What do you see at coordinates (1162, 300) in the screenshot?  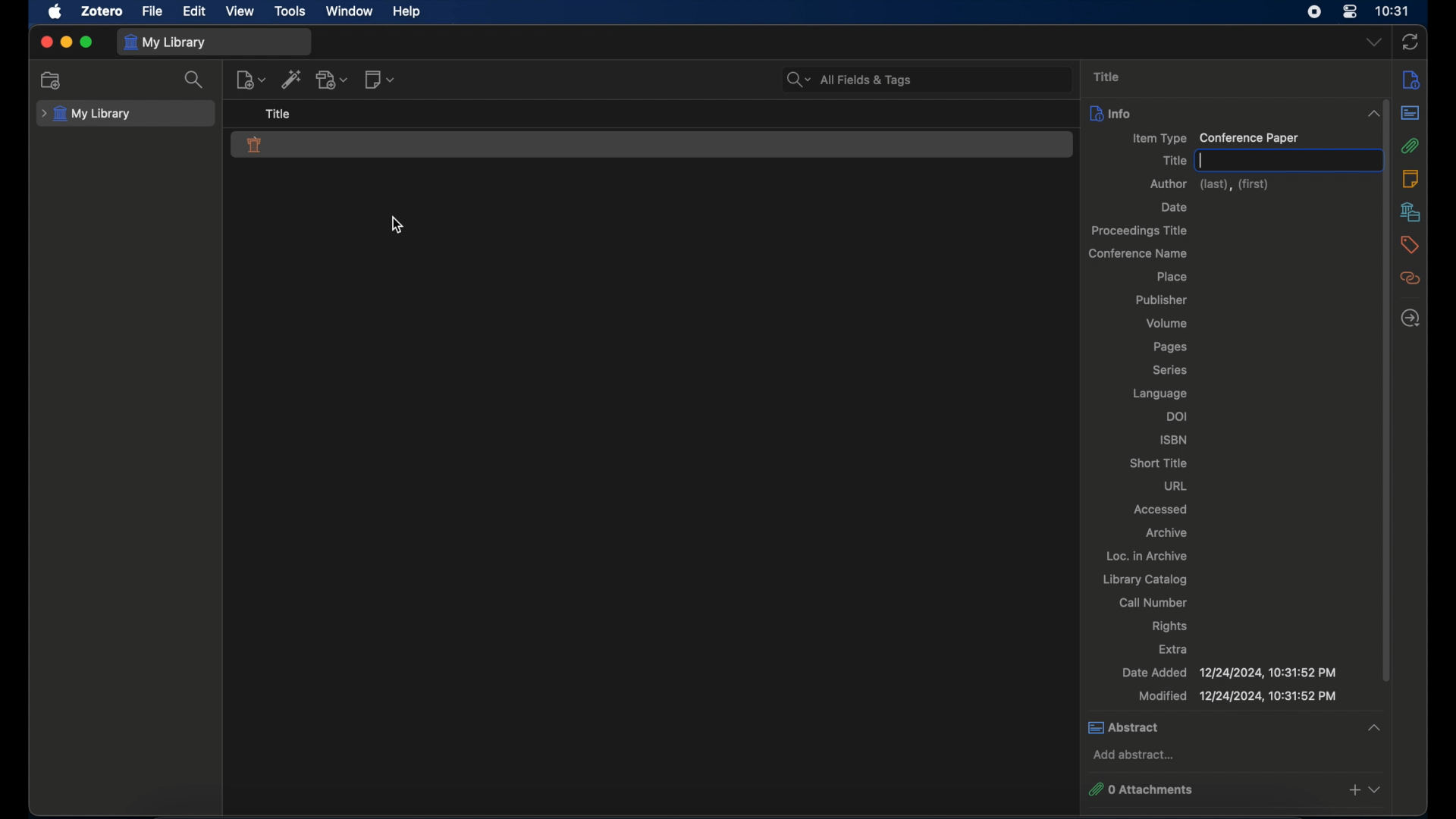 I see `publisher` at bounding box center [1162, 300].